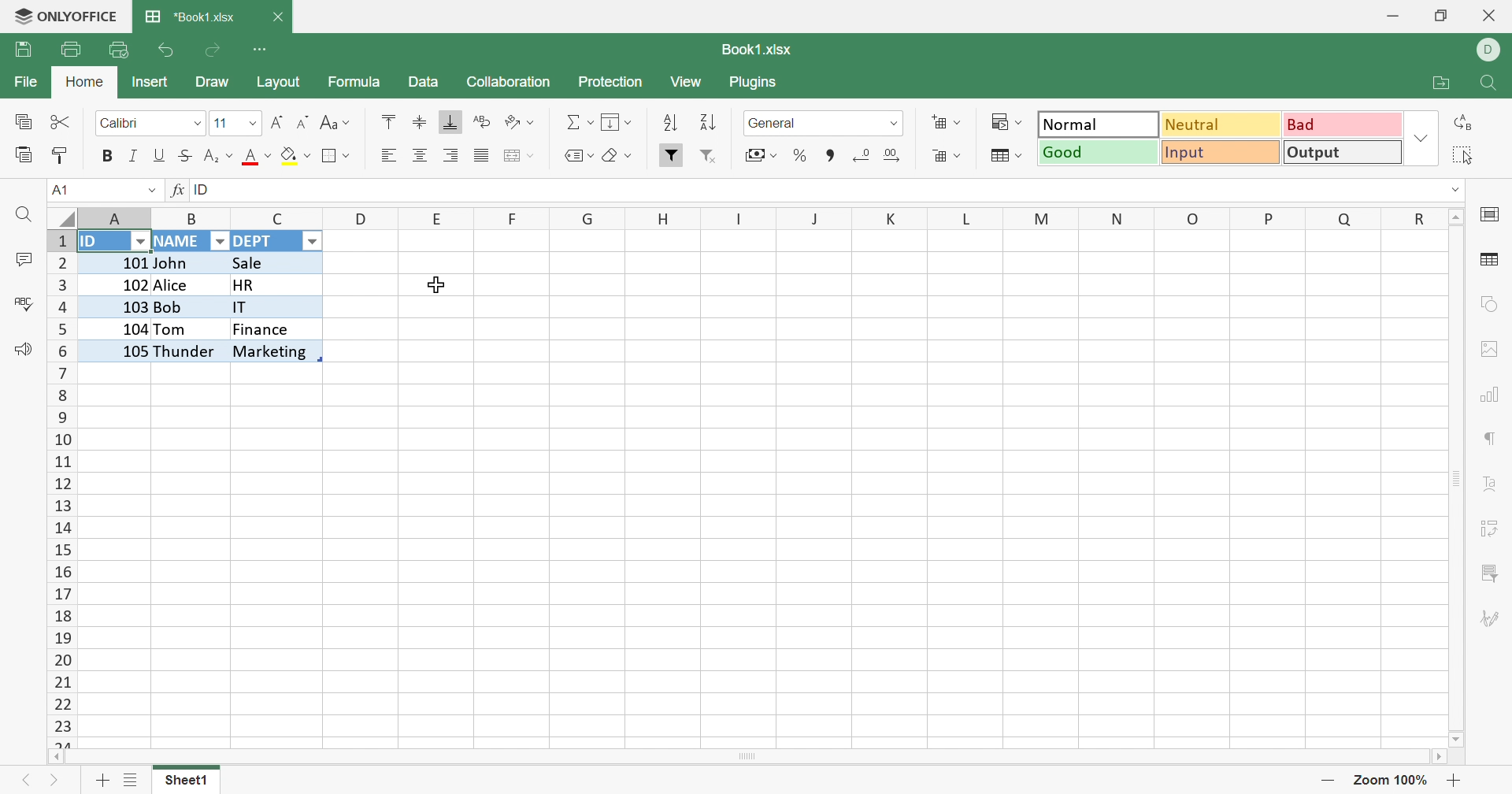 This screenshot has height=794, width=1512. I want to click on Row Number, so click(60, 488).